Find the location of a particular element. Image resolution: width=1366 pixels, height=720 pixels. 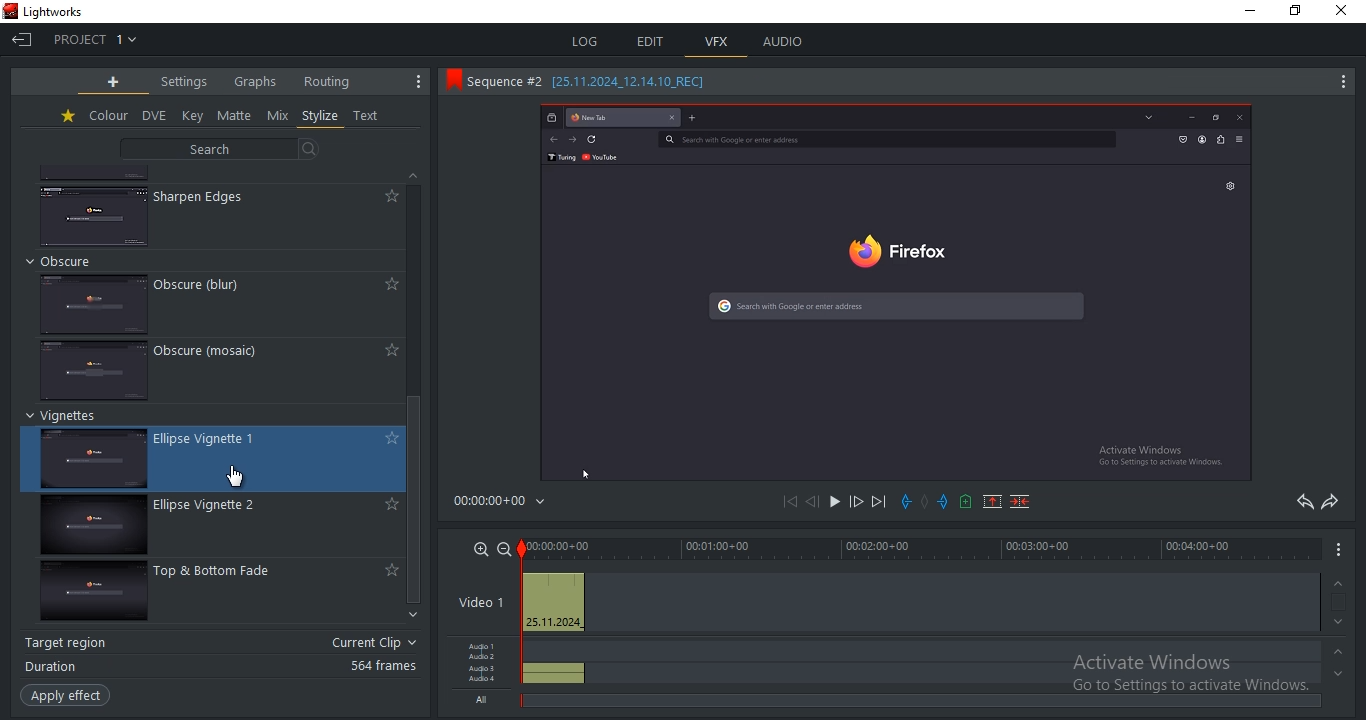

Add to favorites is located at coordinates (390, 505).